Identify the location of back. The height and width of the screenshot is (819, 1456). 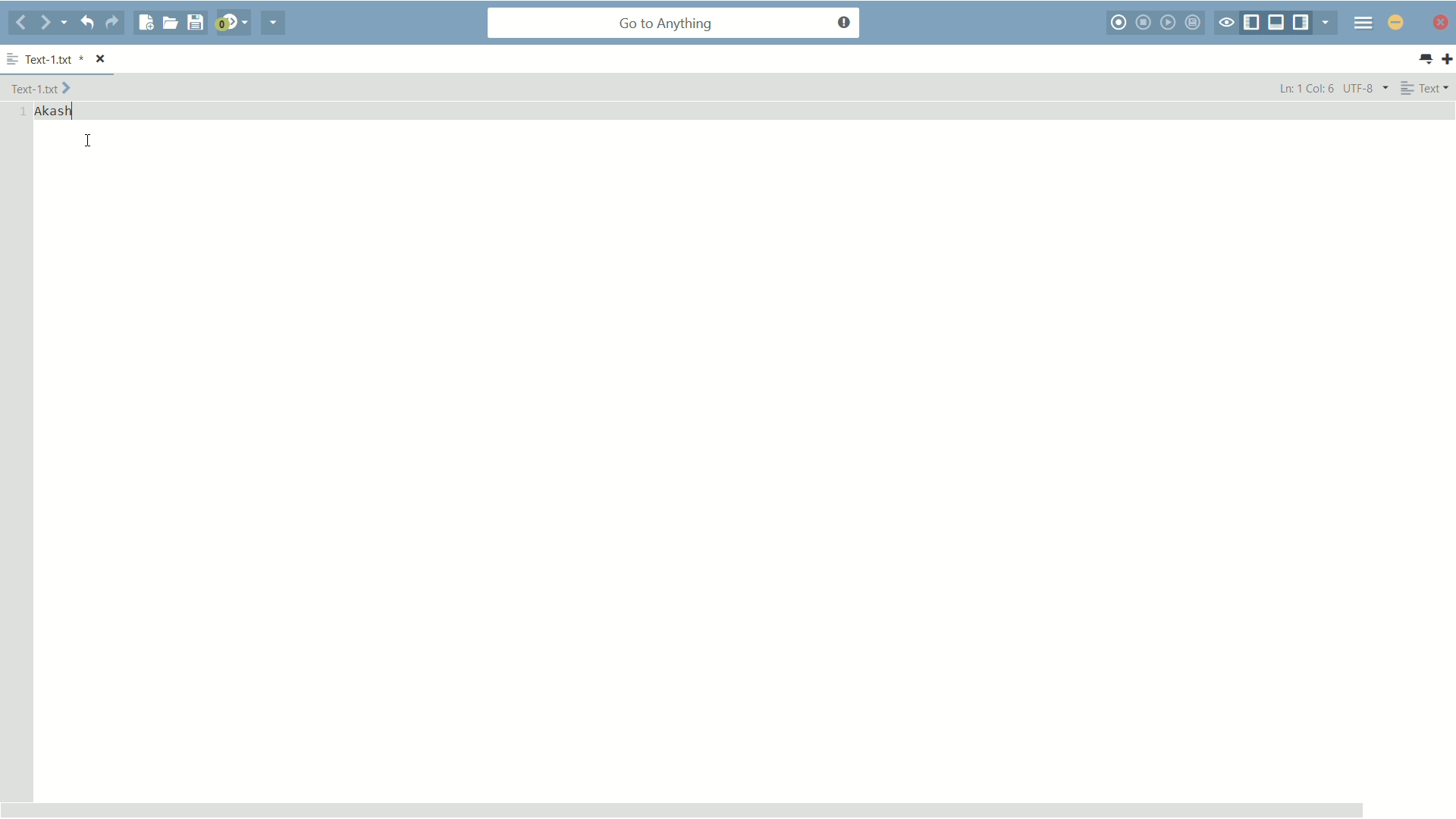
(20, 24).